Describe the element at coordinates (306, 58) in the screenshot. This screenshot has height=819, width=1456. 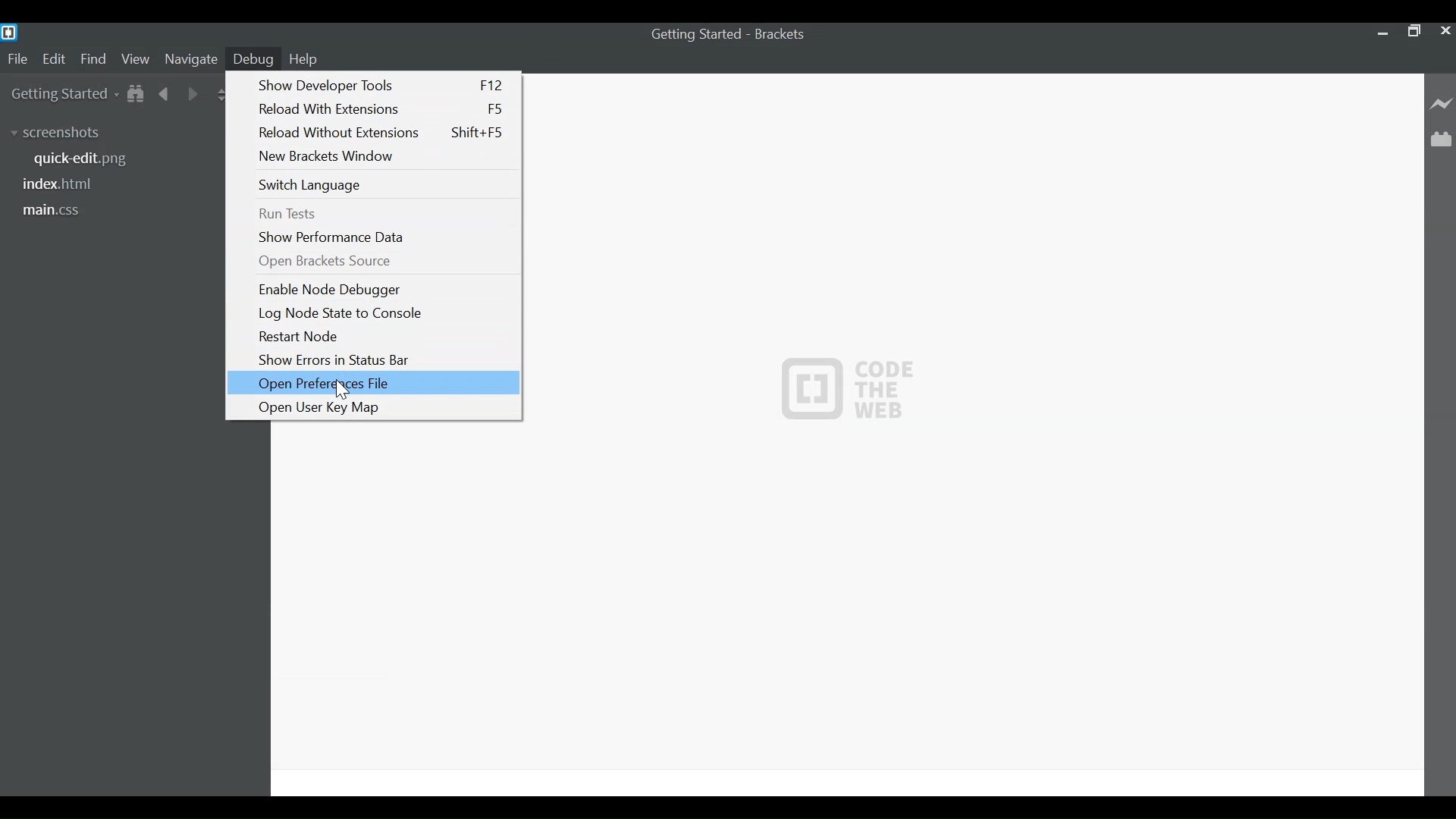
I see `Help` at that location.